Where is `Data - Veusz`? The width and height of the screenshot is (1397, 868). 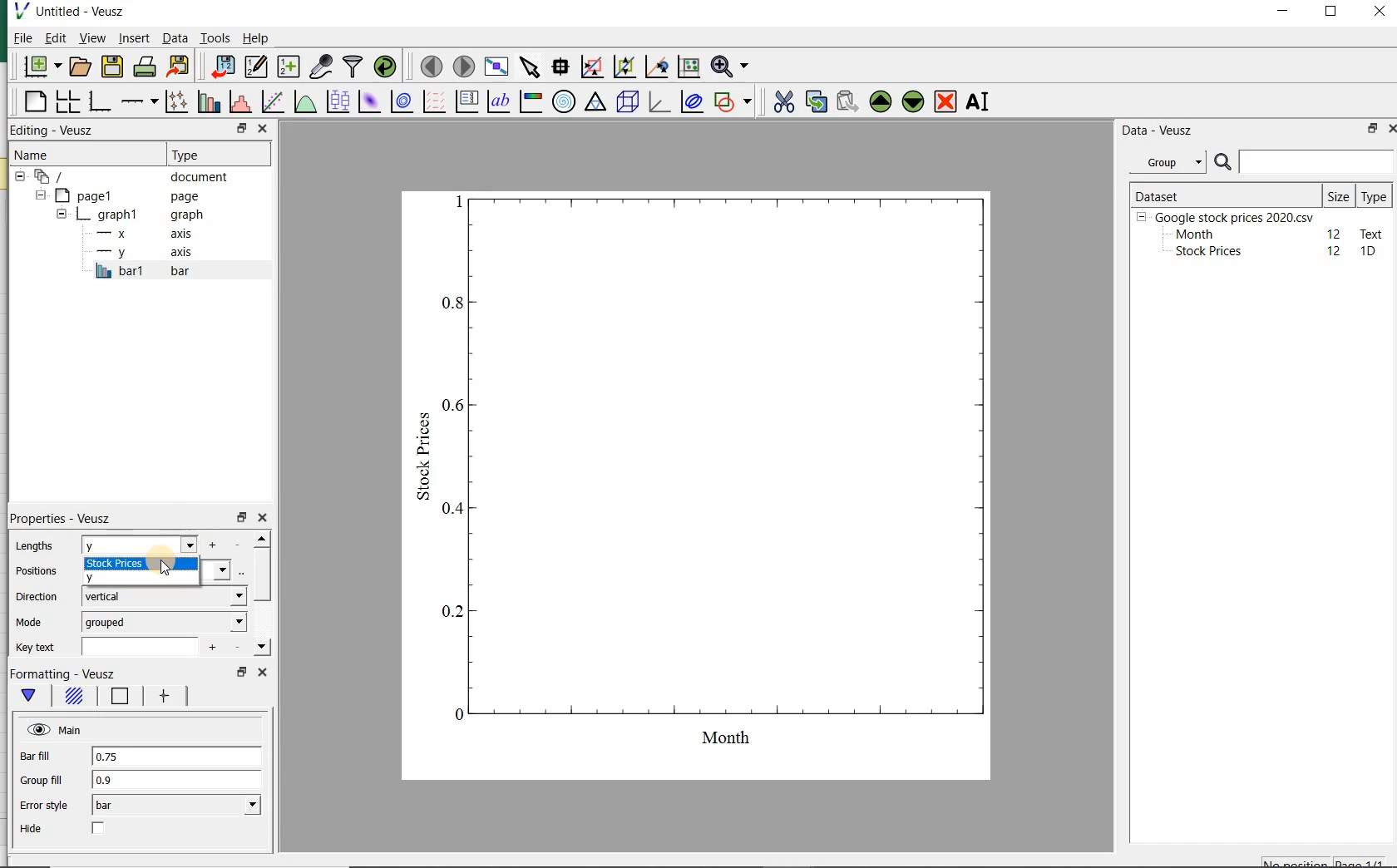 Data - Veusz is located at coordinates (1158, 130).